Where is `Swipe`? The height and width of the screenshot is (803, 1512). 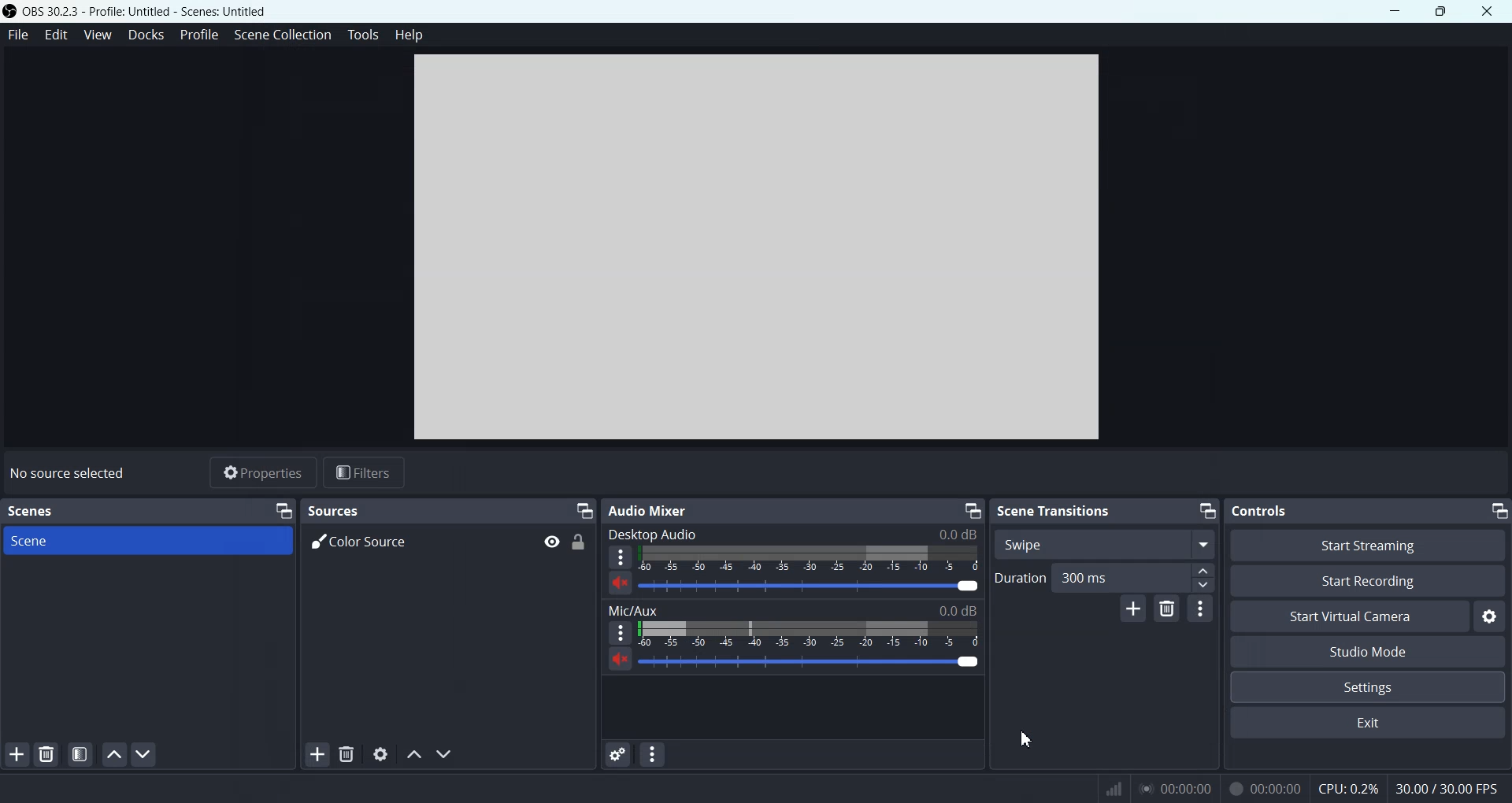 Swipe is located at coordinates (1104, 543).